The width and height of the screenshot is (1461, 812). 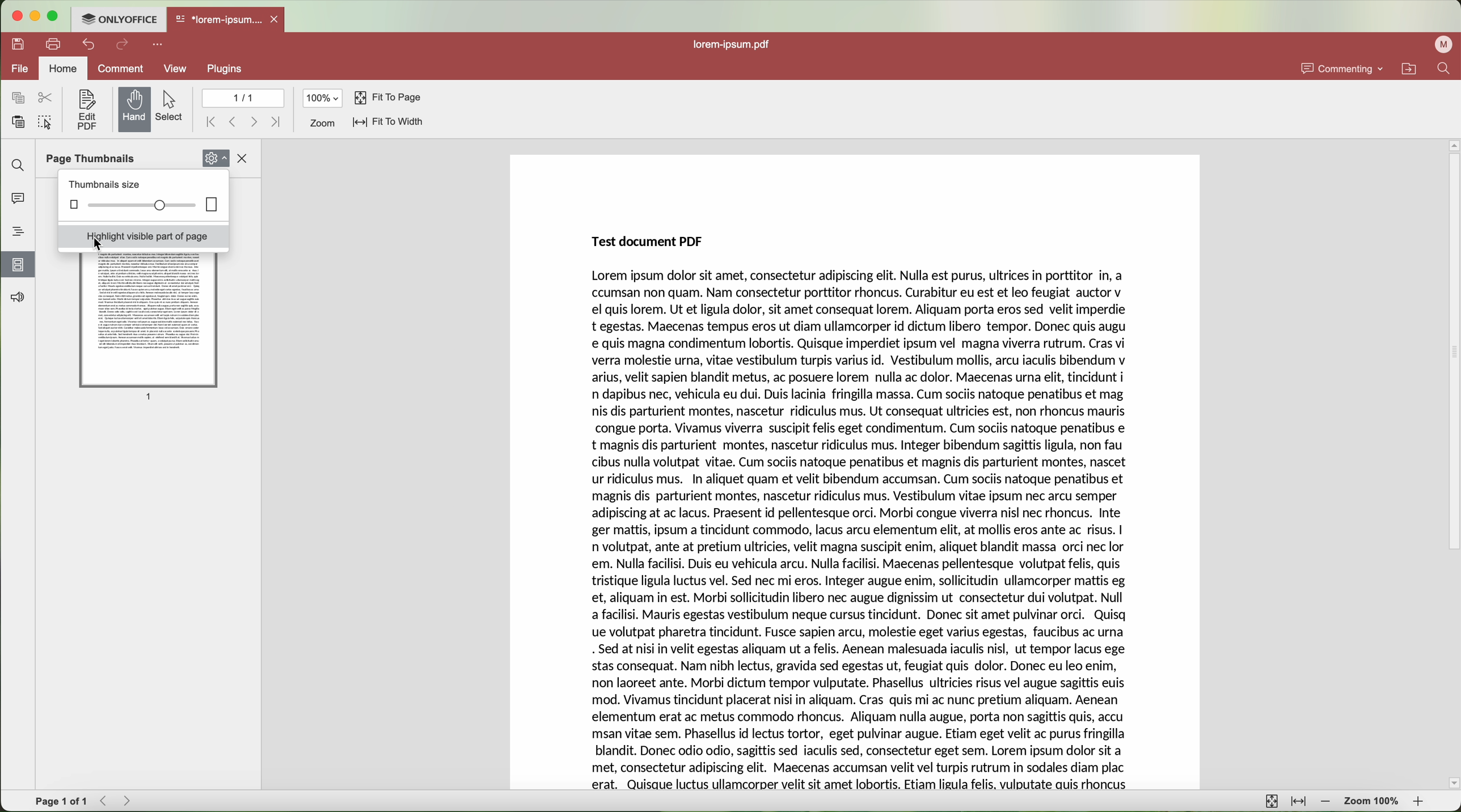 I want to click on copy, so click(x=15, y=98).